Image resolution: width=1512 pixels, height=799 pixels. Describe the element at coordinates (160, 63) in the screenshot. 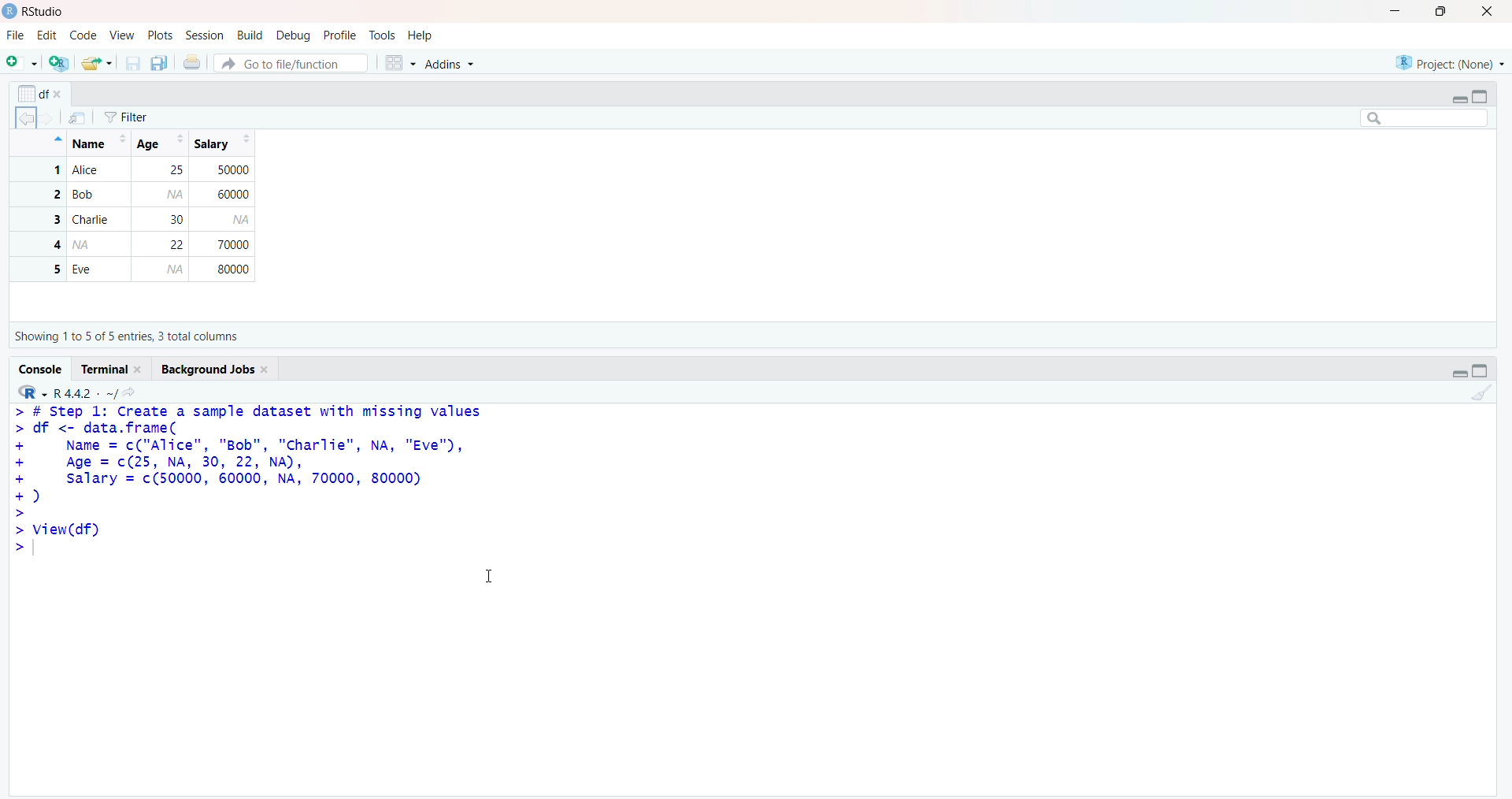

I see `Save all open documents (Ctrl + Alt + S)` at that location.